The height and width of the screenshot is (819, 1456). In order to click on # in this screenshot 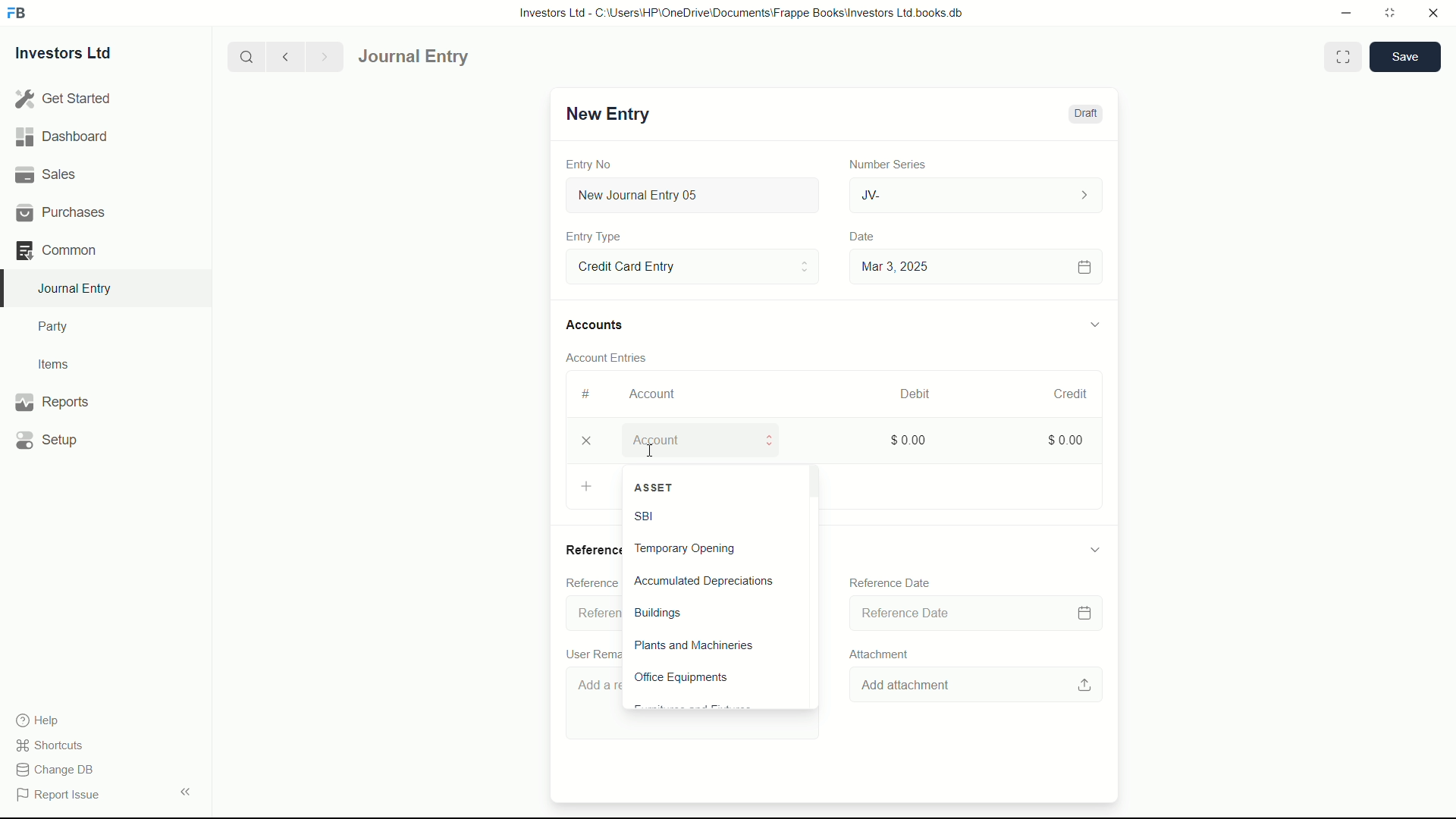, I will do `click(587, 394)`.